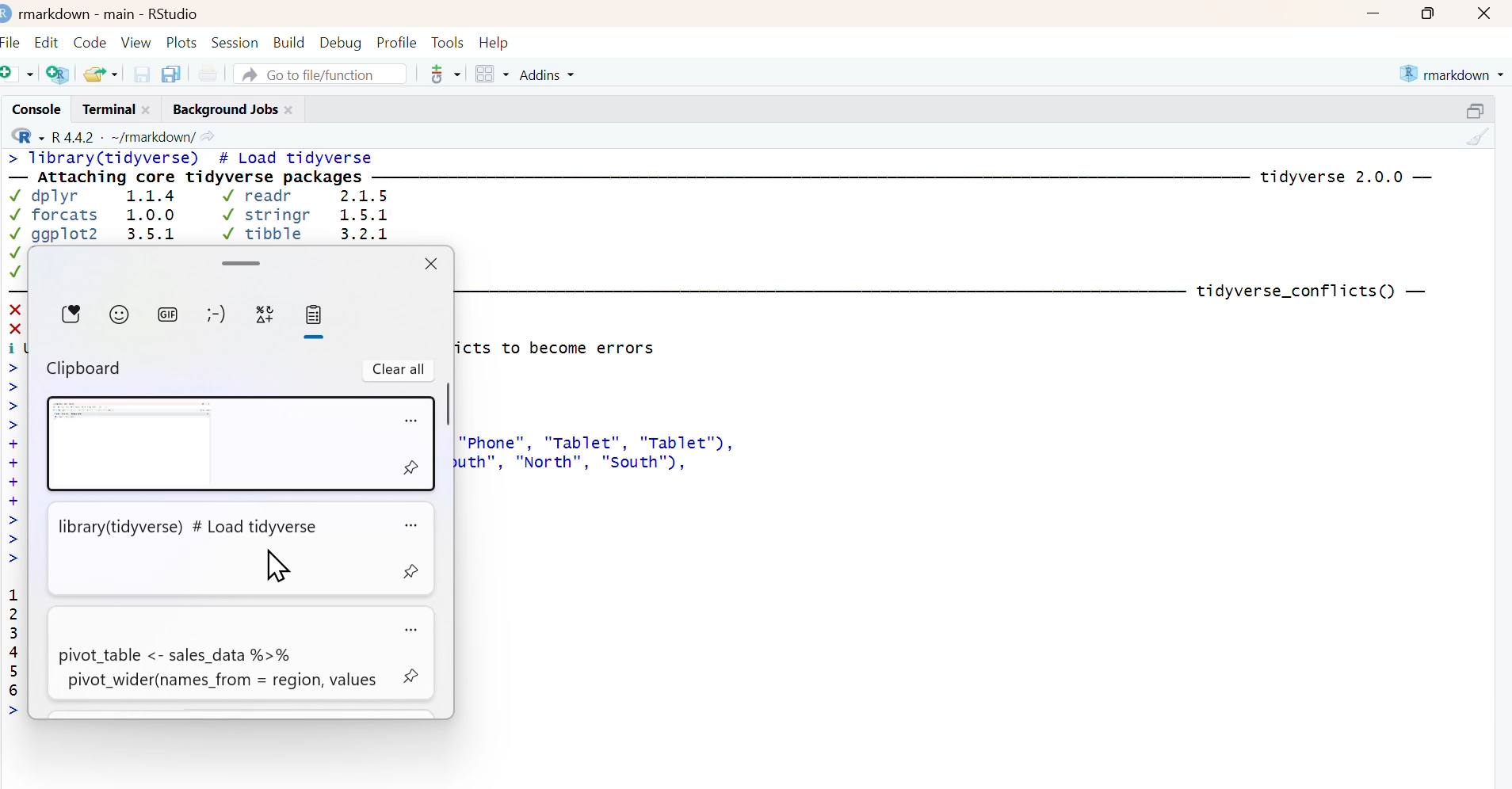  I want to click on pin, so click(413, 677).